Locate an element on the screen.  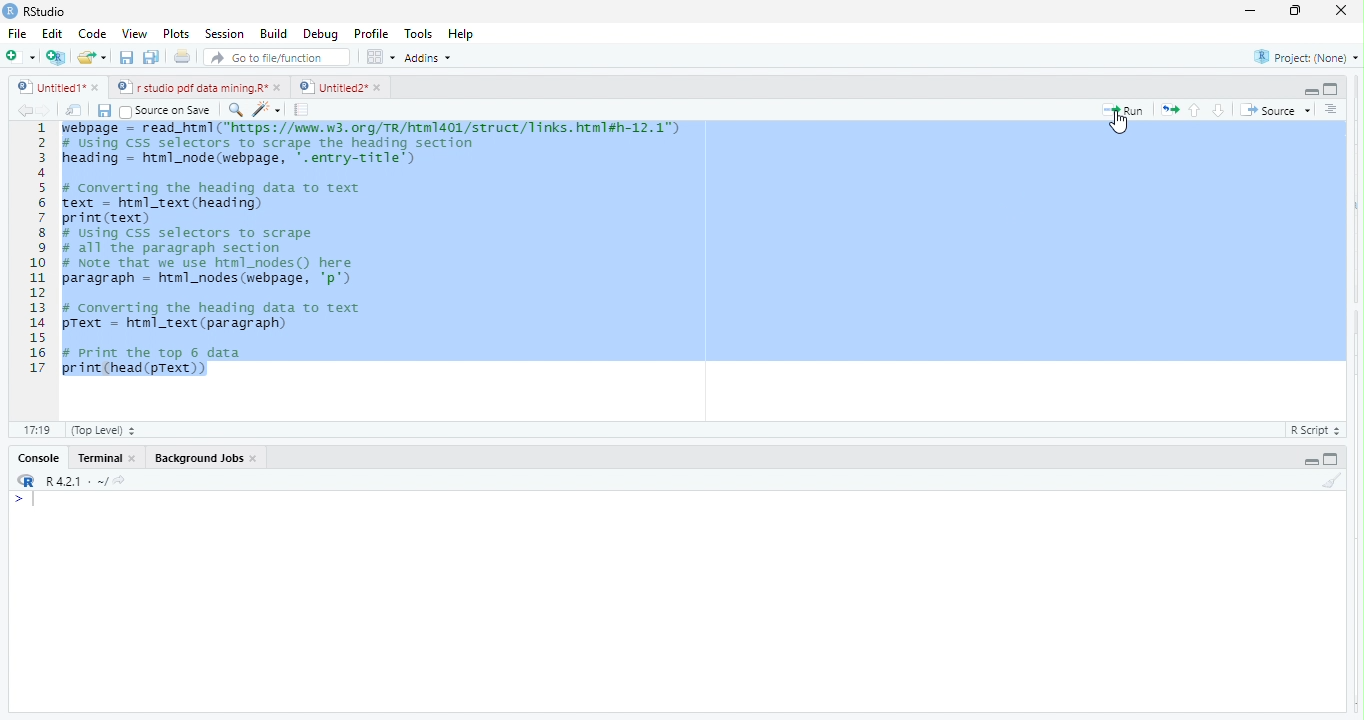
rs studio logo is located at coordinates (10, 10).